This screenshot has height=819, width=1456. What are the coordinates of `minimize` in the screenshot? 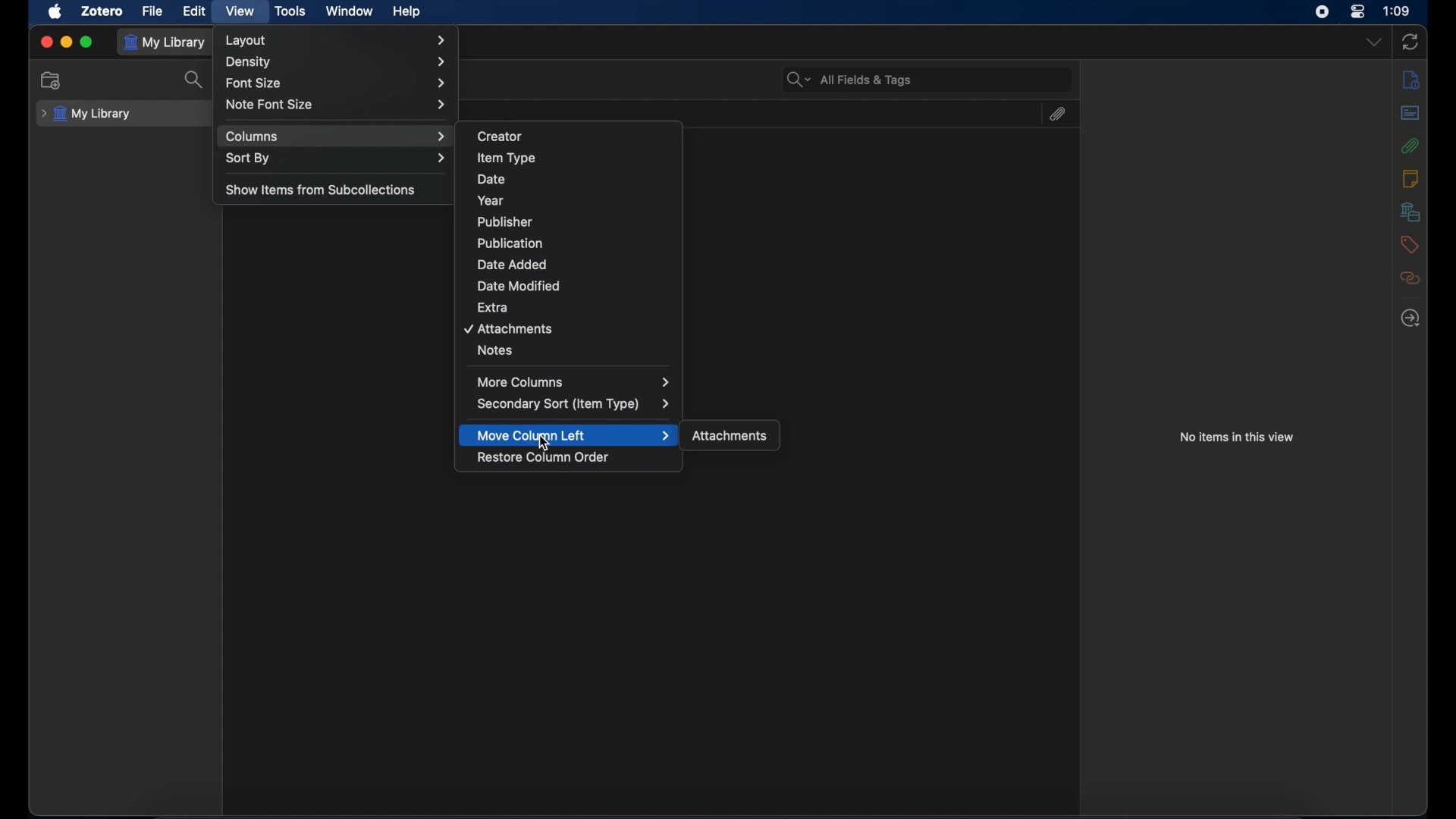 It's located at (67, 42).